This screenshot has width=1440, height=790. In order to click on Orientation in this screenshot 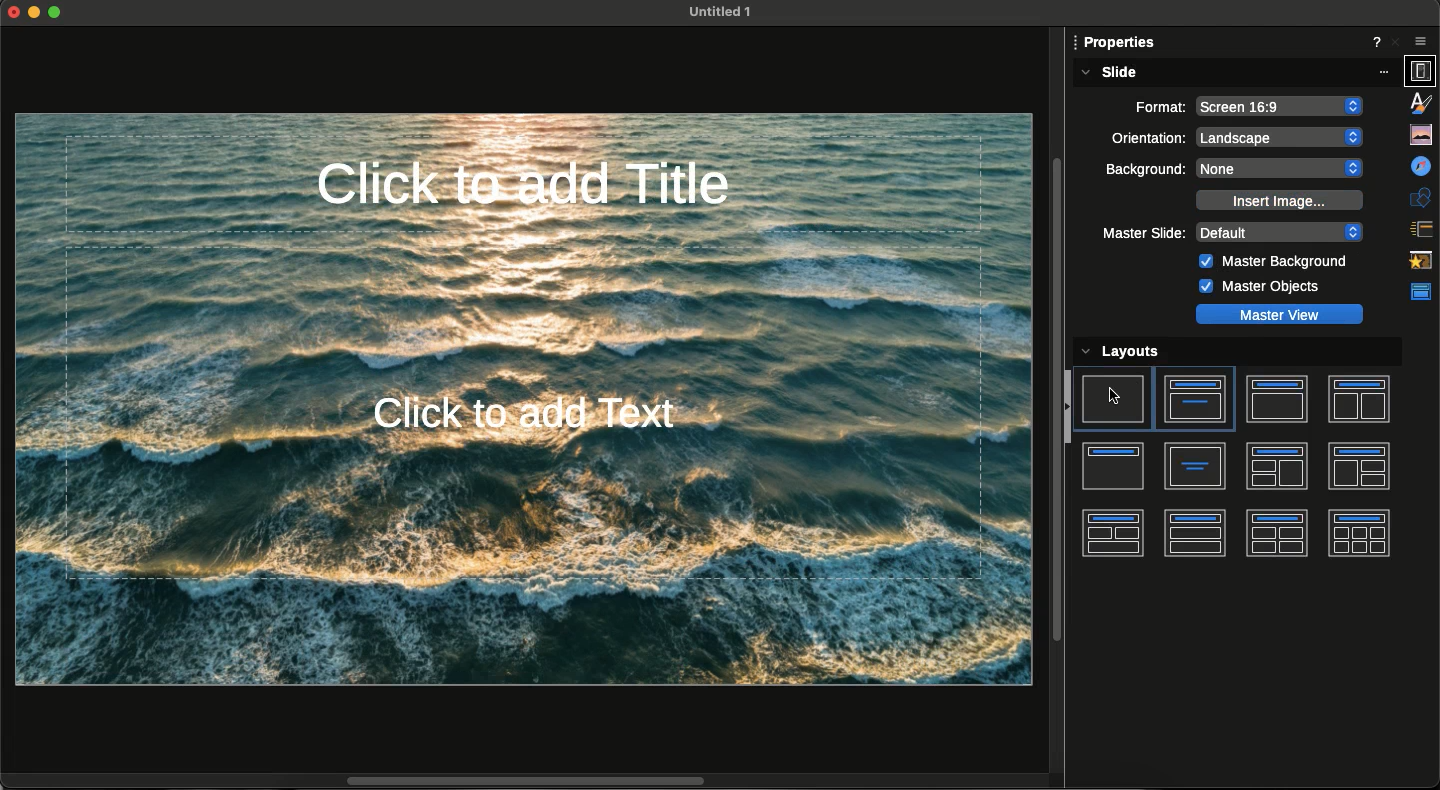, I will do `click(1145, 138)`.